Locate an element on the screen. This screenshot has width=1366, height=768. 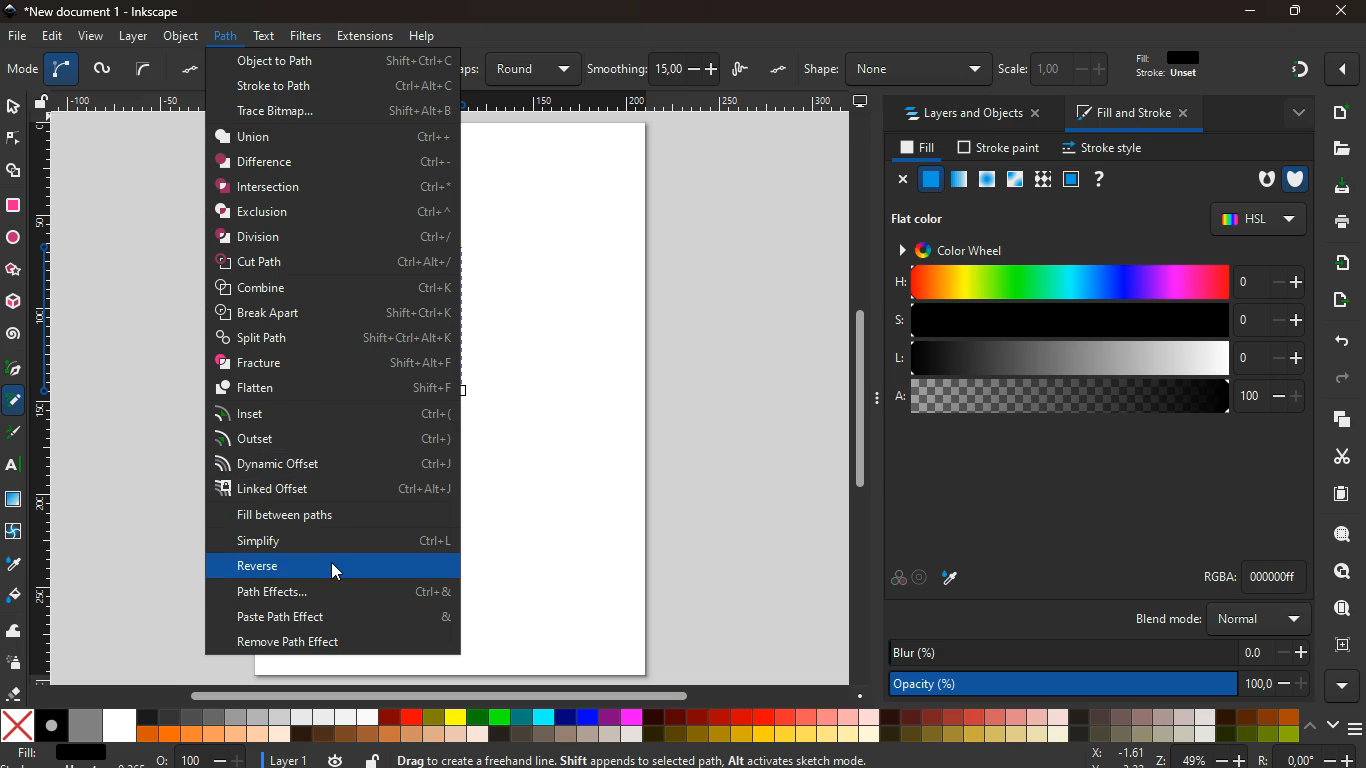
s is located at coordinates (1098, 320).